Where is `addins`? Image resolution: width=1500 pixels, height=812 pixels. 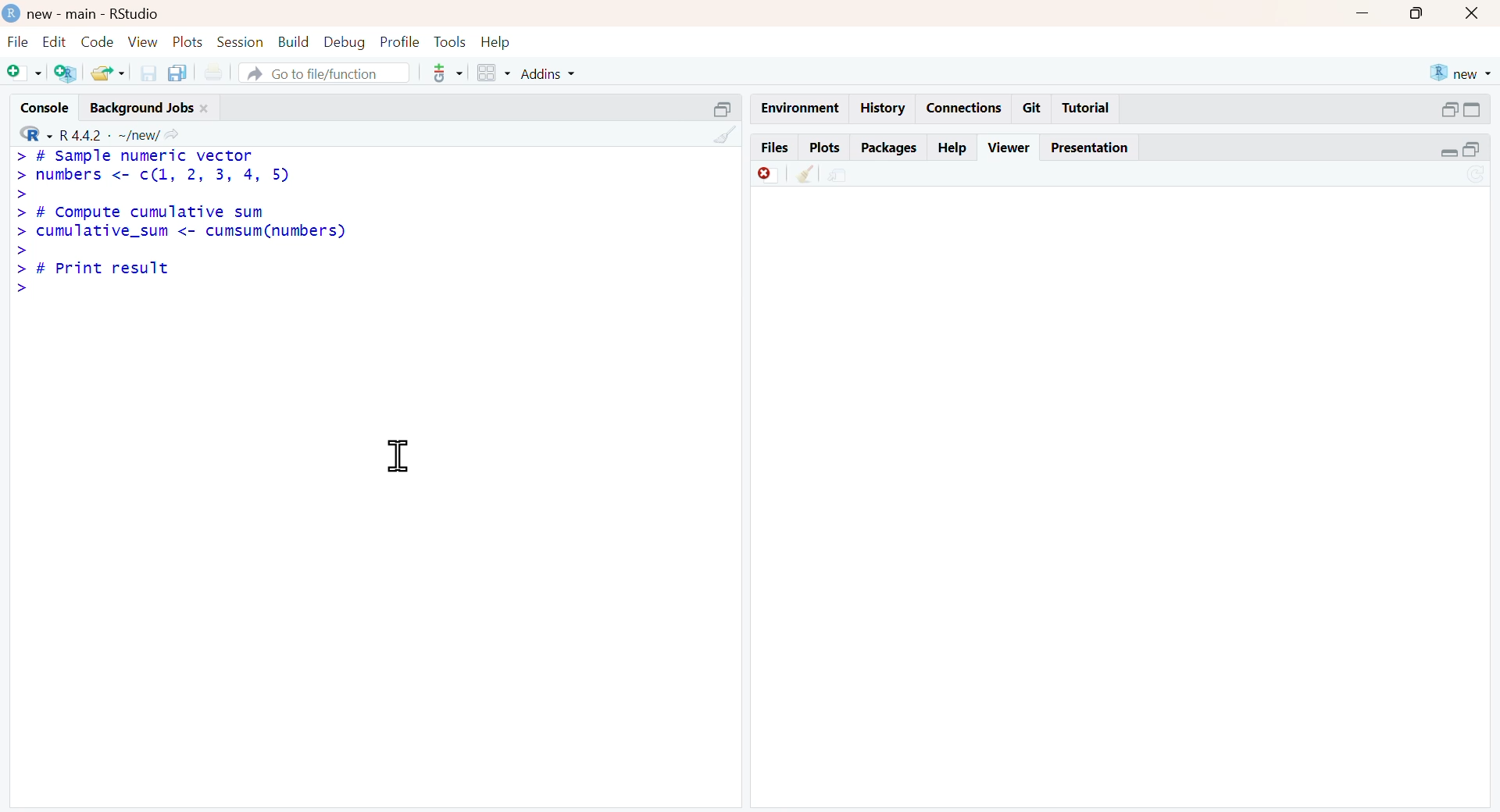 addins is located at coordinates (548, 73).